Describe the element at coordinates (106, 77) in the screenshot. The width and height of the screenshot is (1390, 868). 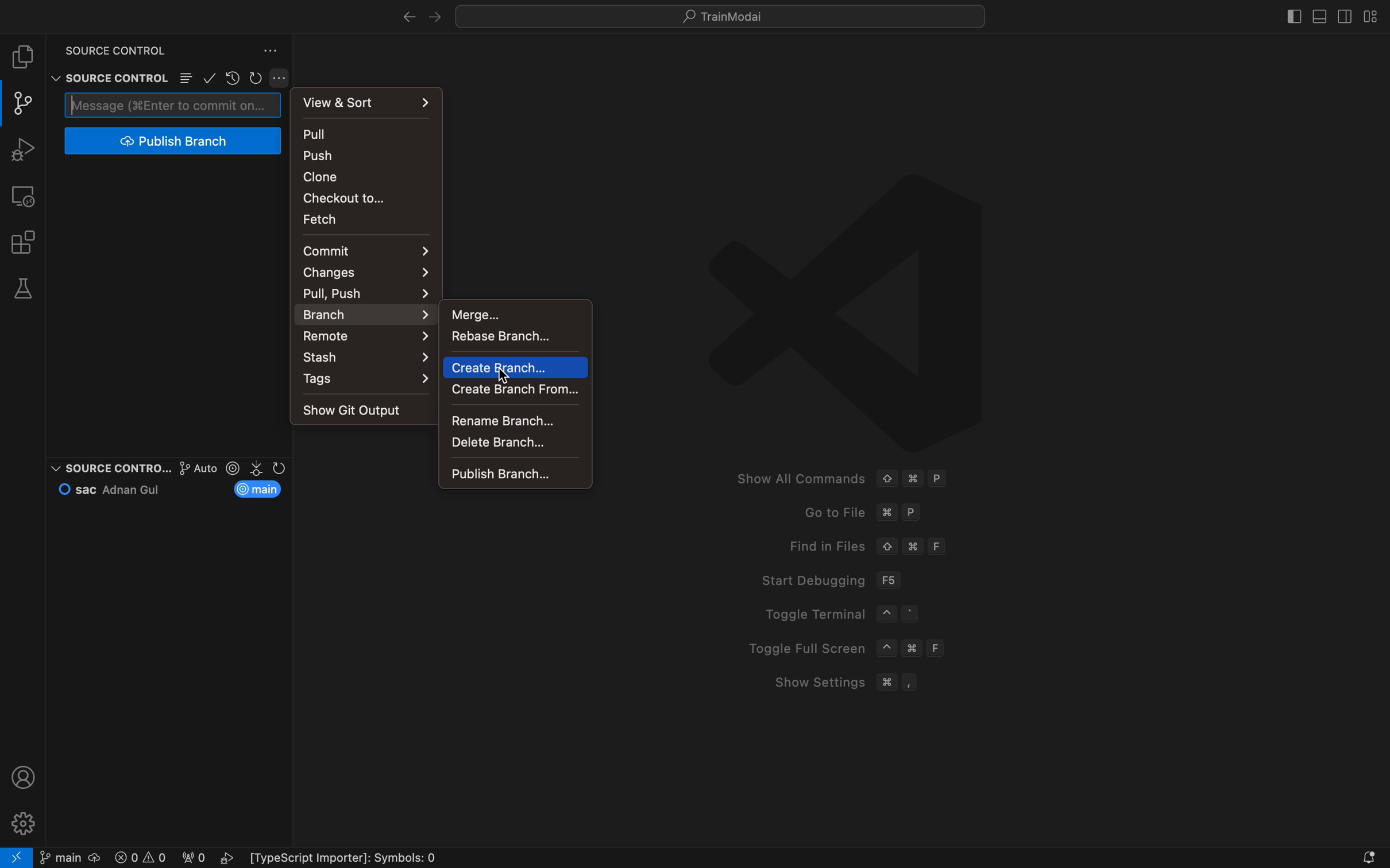
I see `source` at that location.